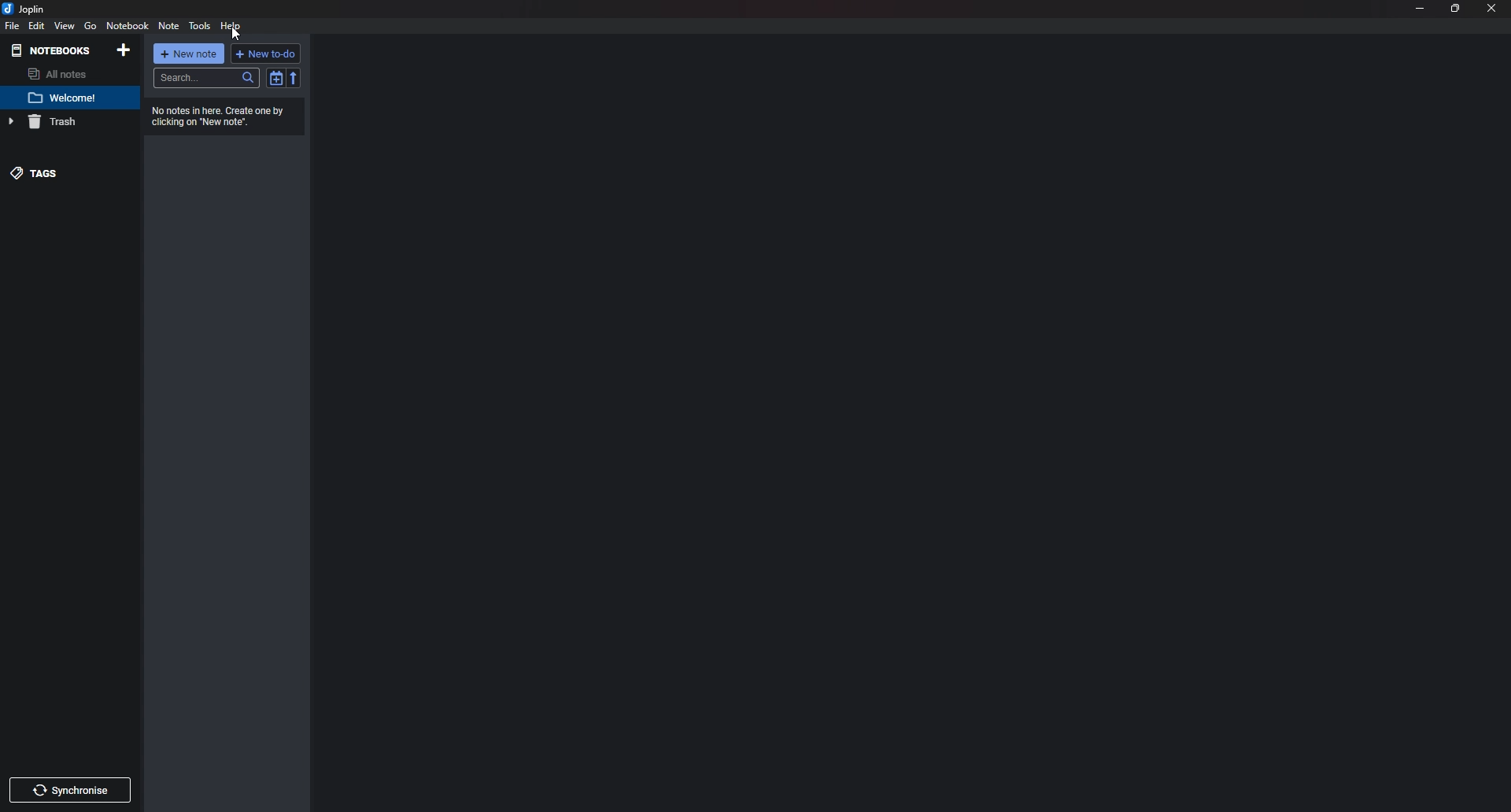 The height and width of the screenshot is (812, 1511). What do you see at coordinates (69, 791) in the screenshot?
I see `Synchronize` at bounding box center [69, 791].